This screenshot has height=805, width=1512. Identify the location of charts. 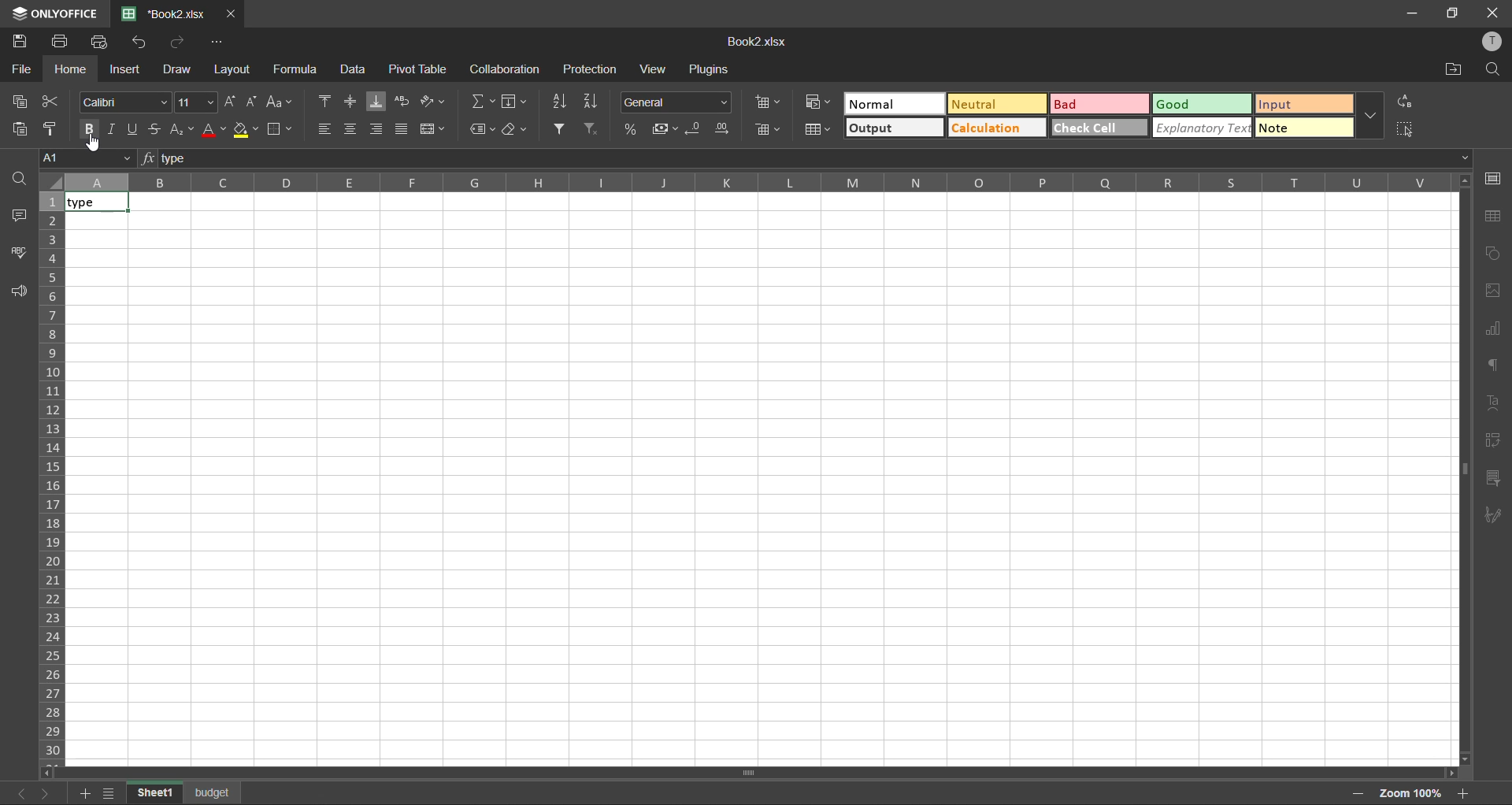
(1494, 328).